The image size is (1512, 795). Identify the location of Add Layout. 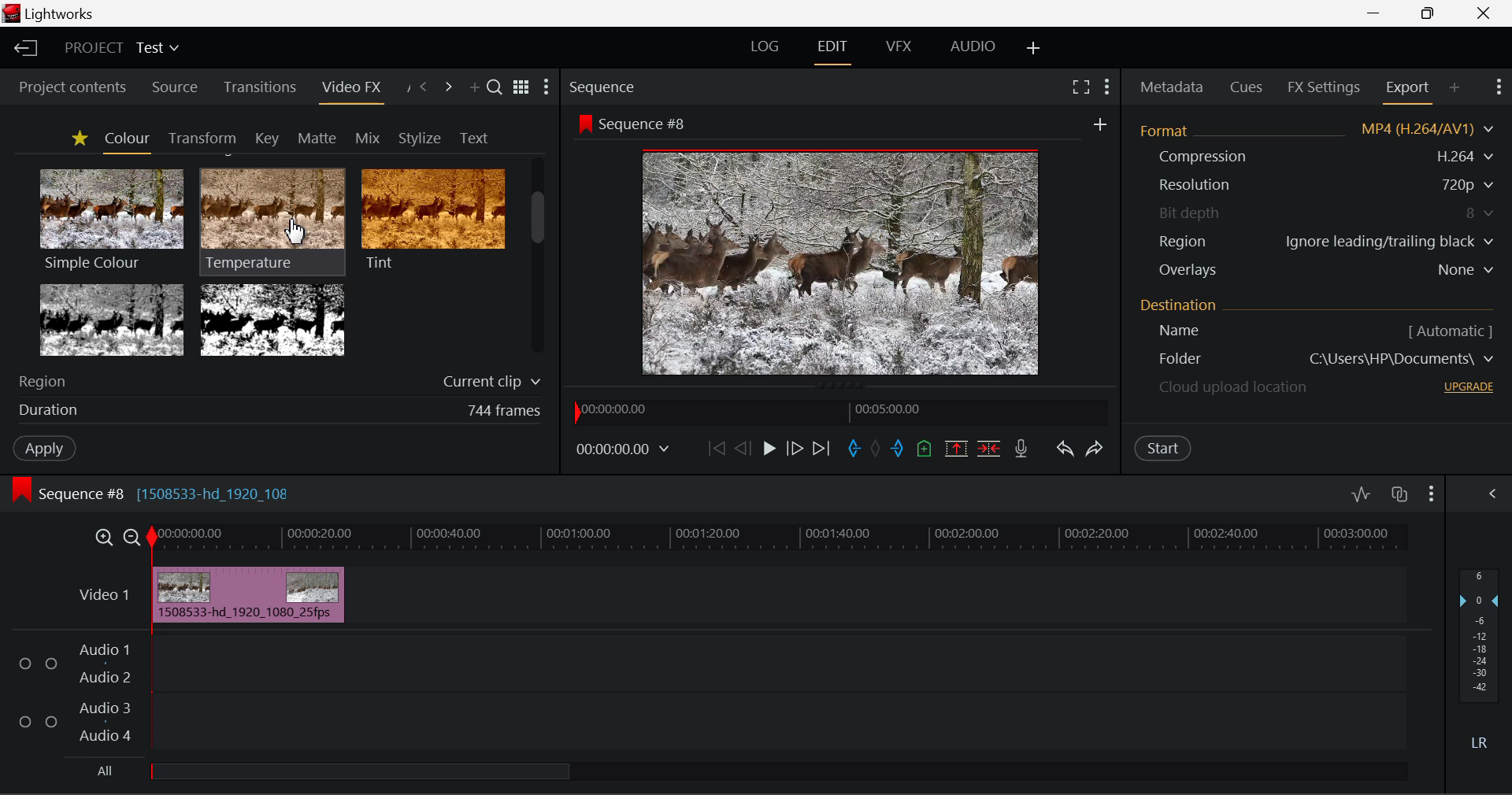
(1033, 48).